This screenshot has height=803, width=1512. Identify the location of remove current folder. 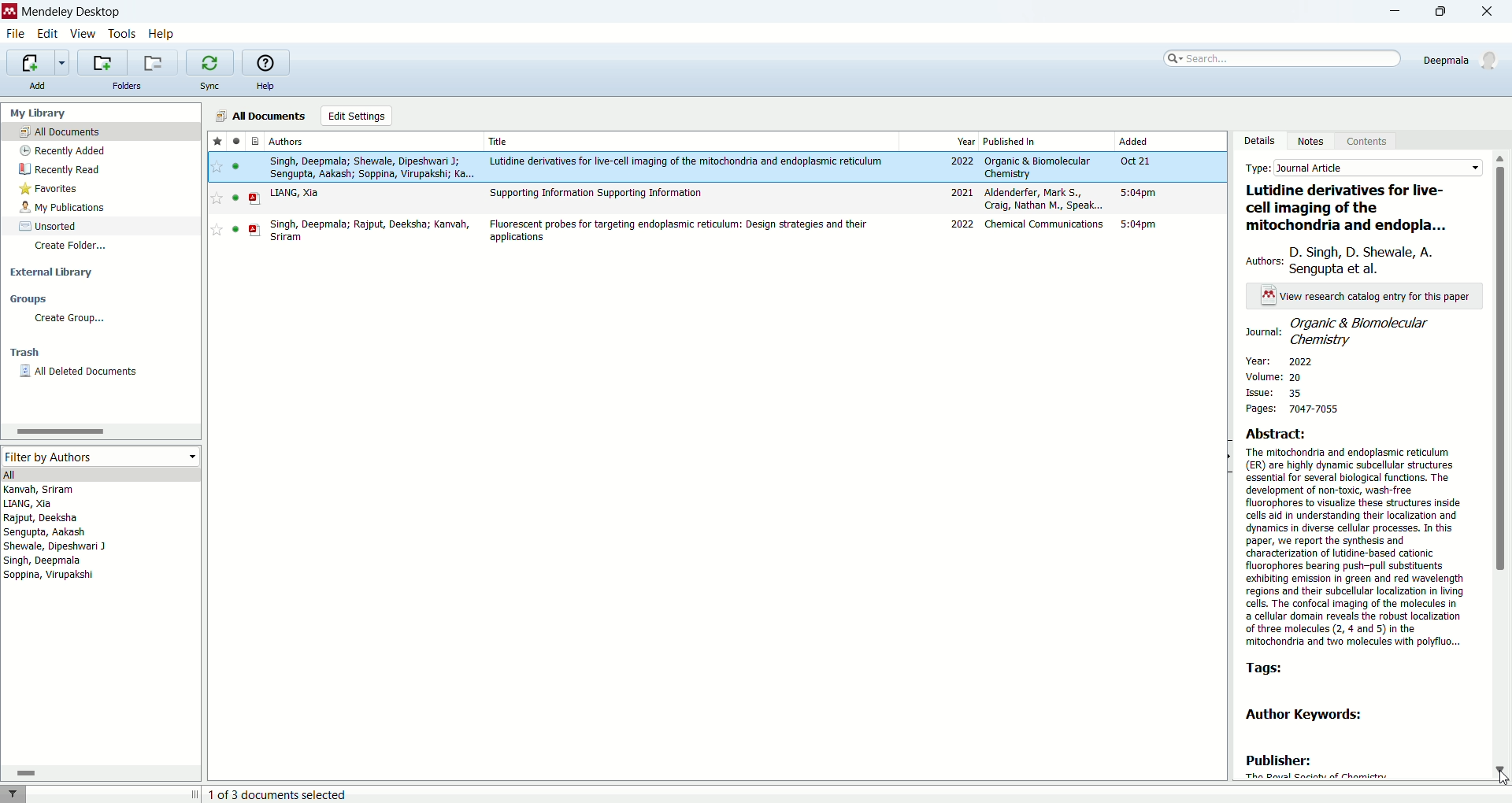
(152, 62).